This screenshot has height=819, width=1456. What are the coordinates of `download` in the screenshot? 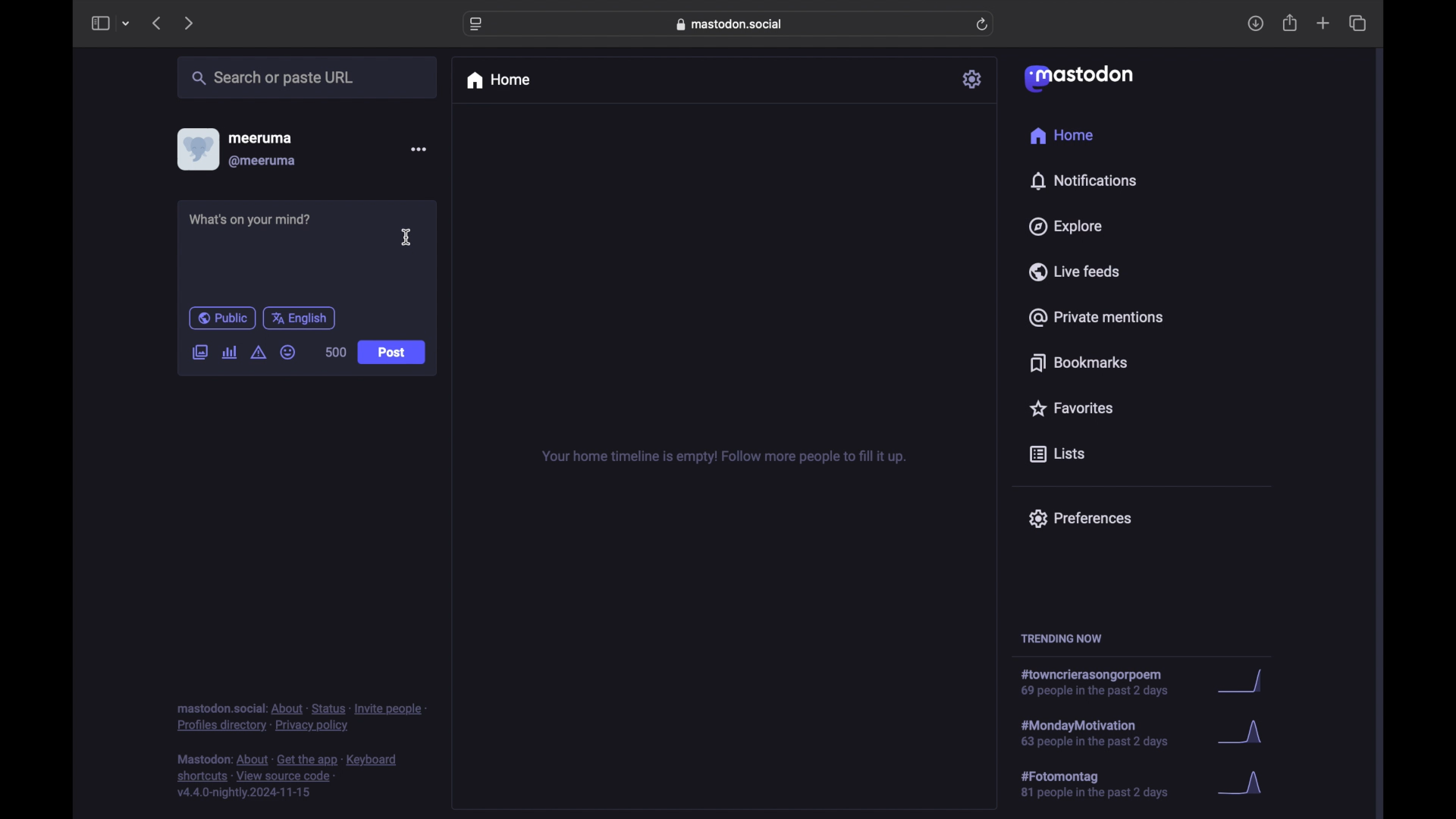 It's located at (1256, 24).